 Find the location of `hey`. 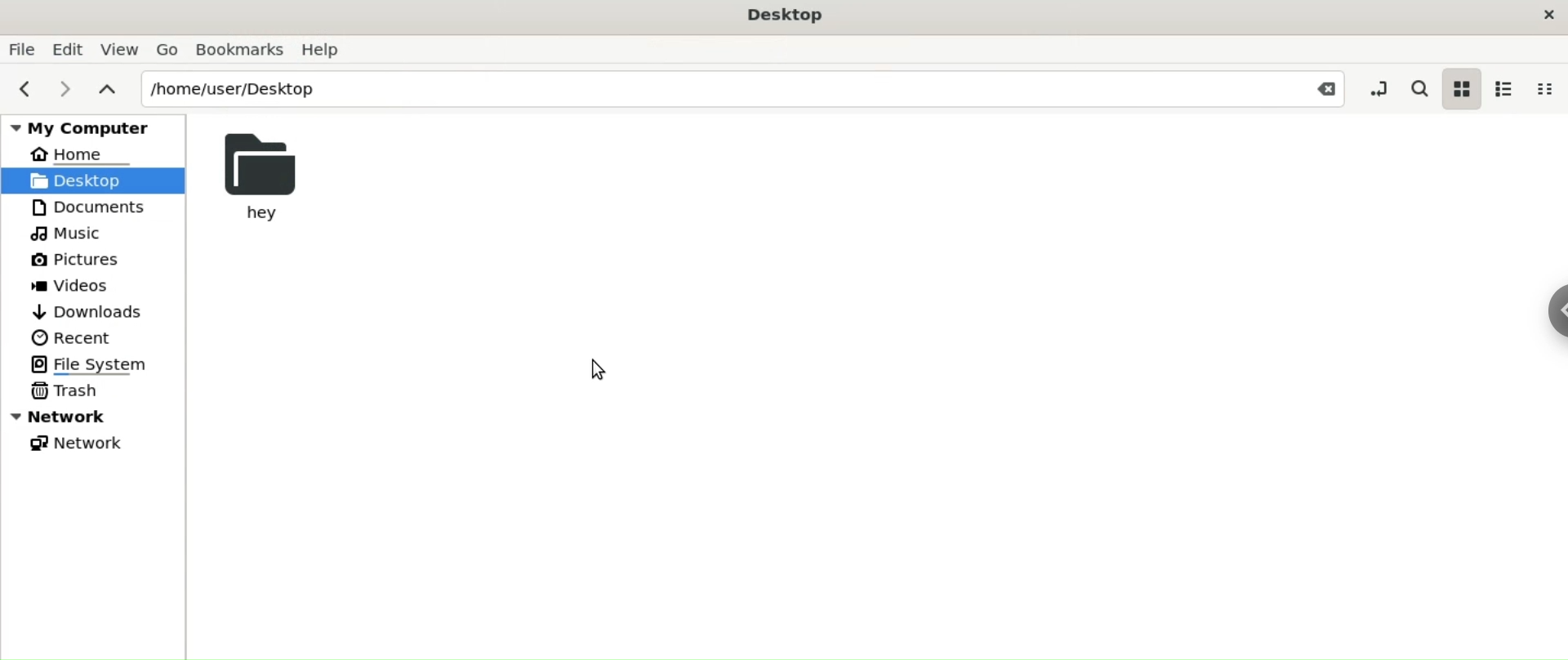

hey is located at coordinates (276, 173).